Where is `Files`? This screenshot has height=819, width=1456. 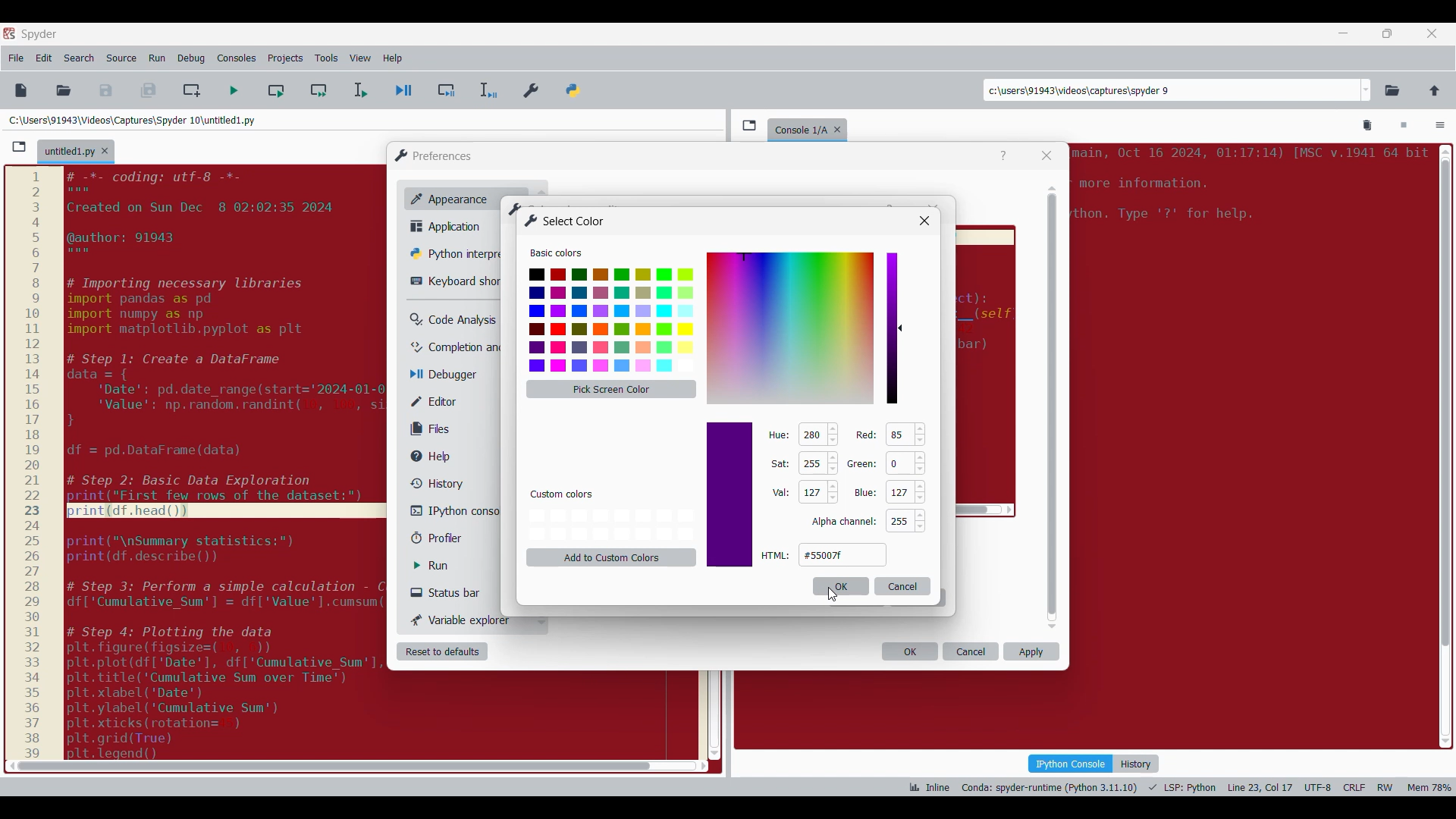
Files is located at coordinates (434, 428).